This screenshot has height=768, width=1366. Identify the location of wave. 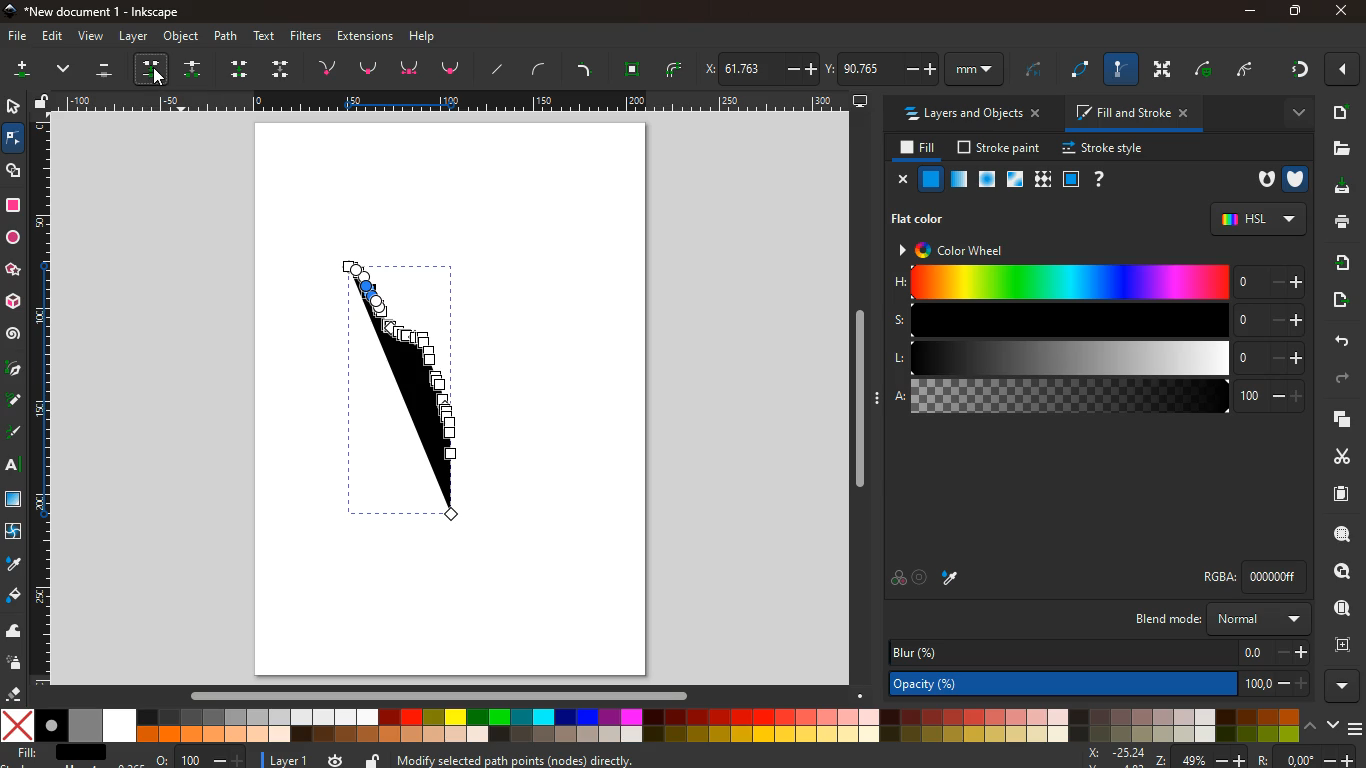
(15, 630).